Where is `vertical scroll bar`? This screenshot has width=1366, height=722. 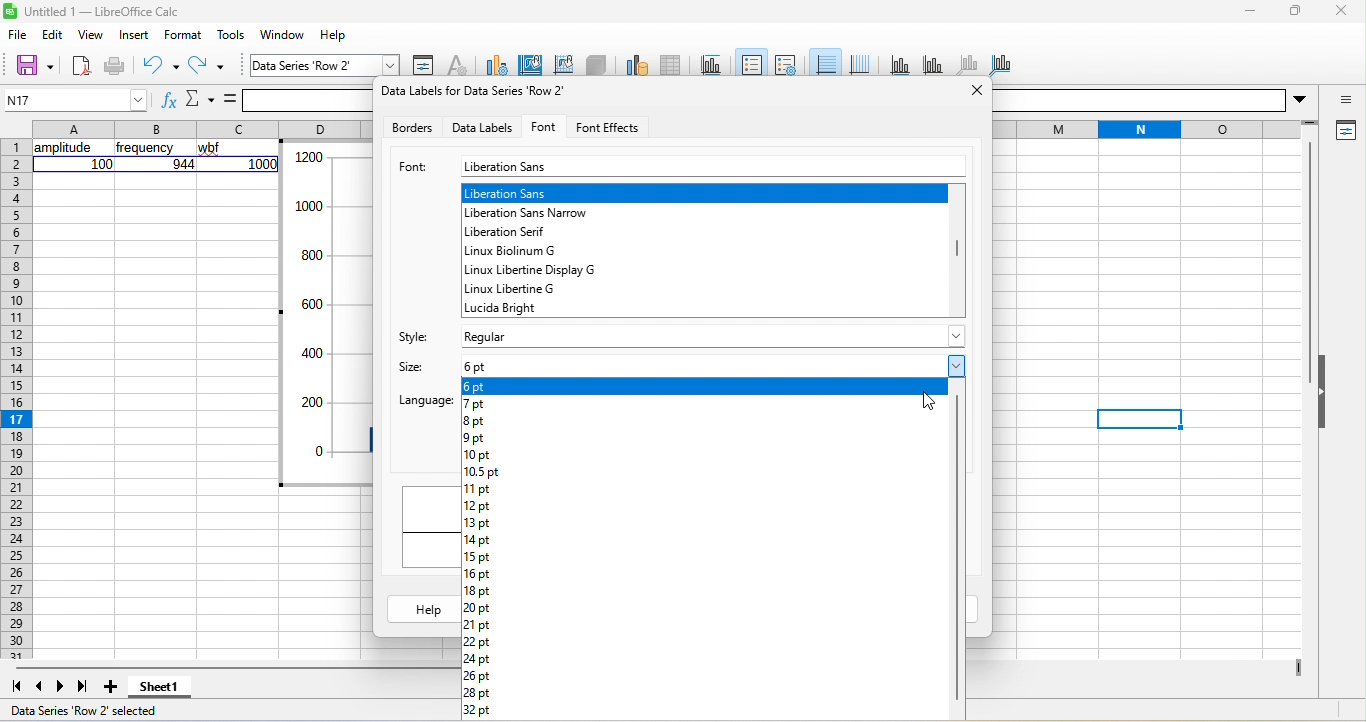
vertical scroll bar is located at coordinates (1310, 262).